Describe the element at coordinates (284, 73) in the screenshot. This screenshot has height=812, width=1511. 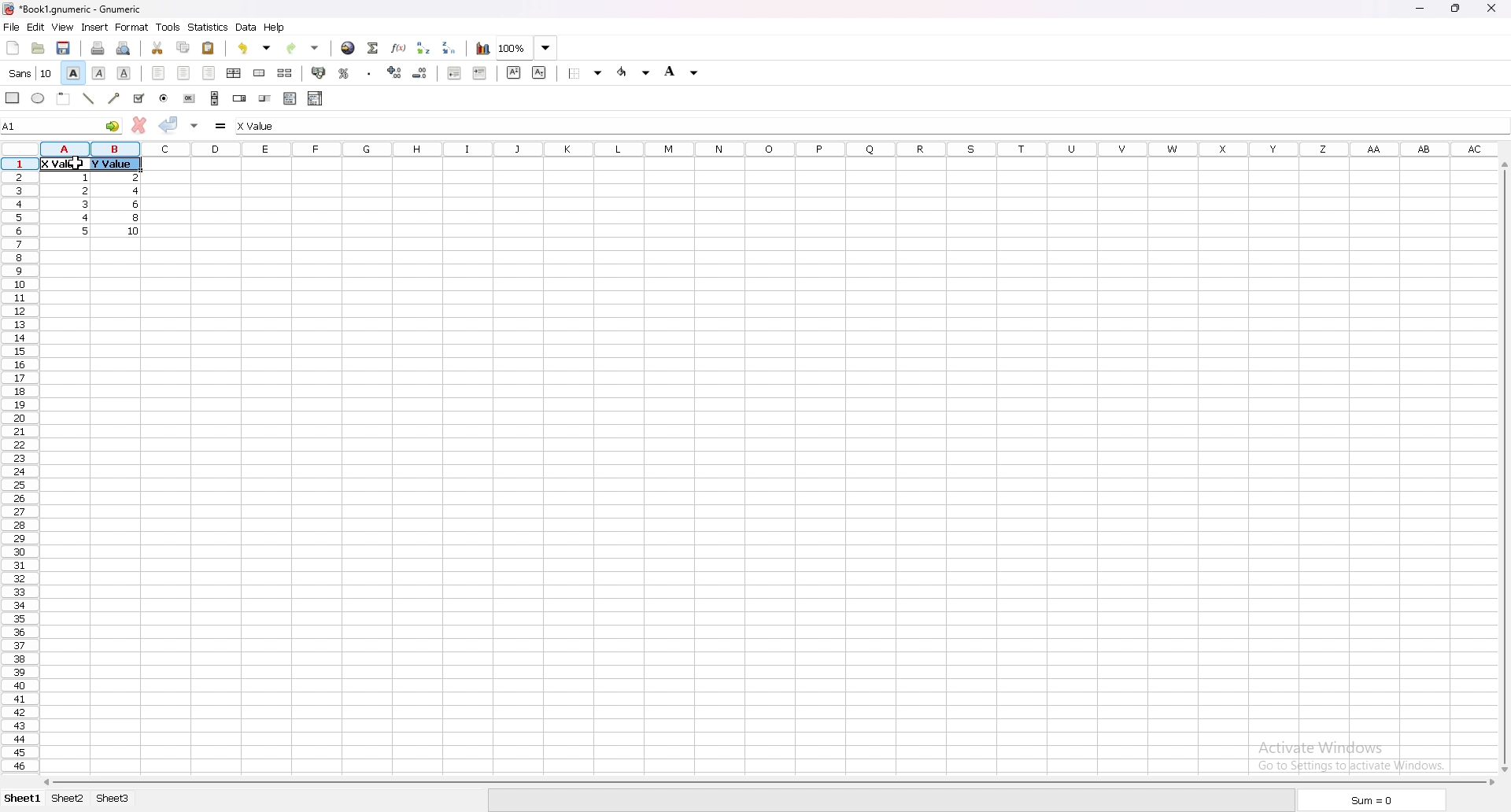
I see `split merged cells` at that location.